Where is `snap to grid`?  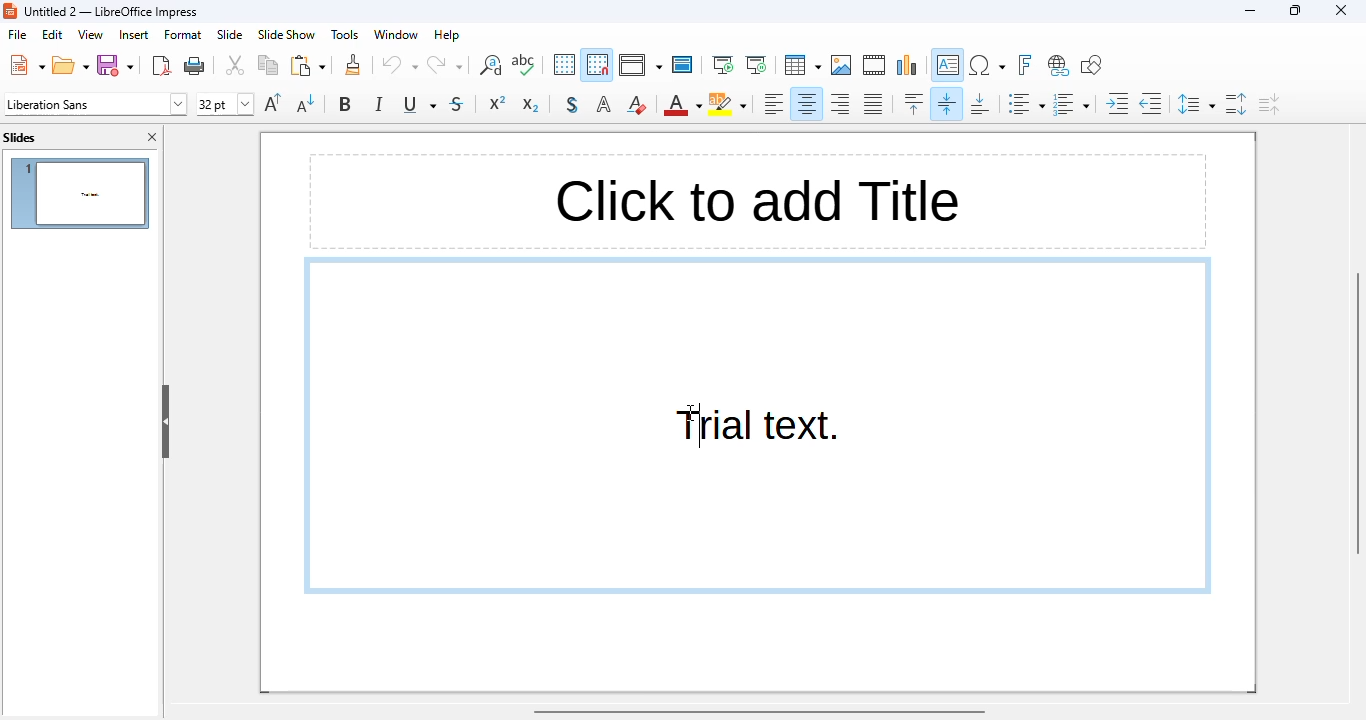
snap to grid is located at coordinates (598, 65).